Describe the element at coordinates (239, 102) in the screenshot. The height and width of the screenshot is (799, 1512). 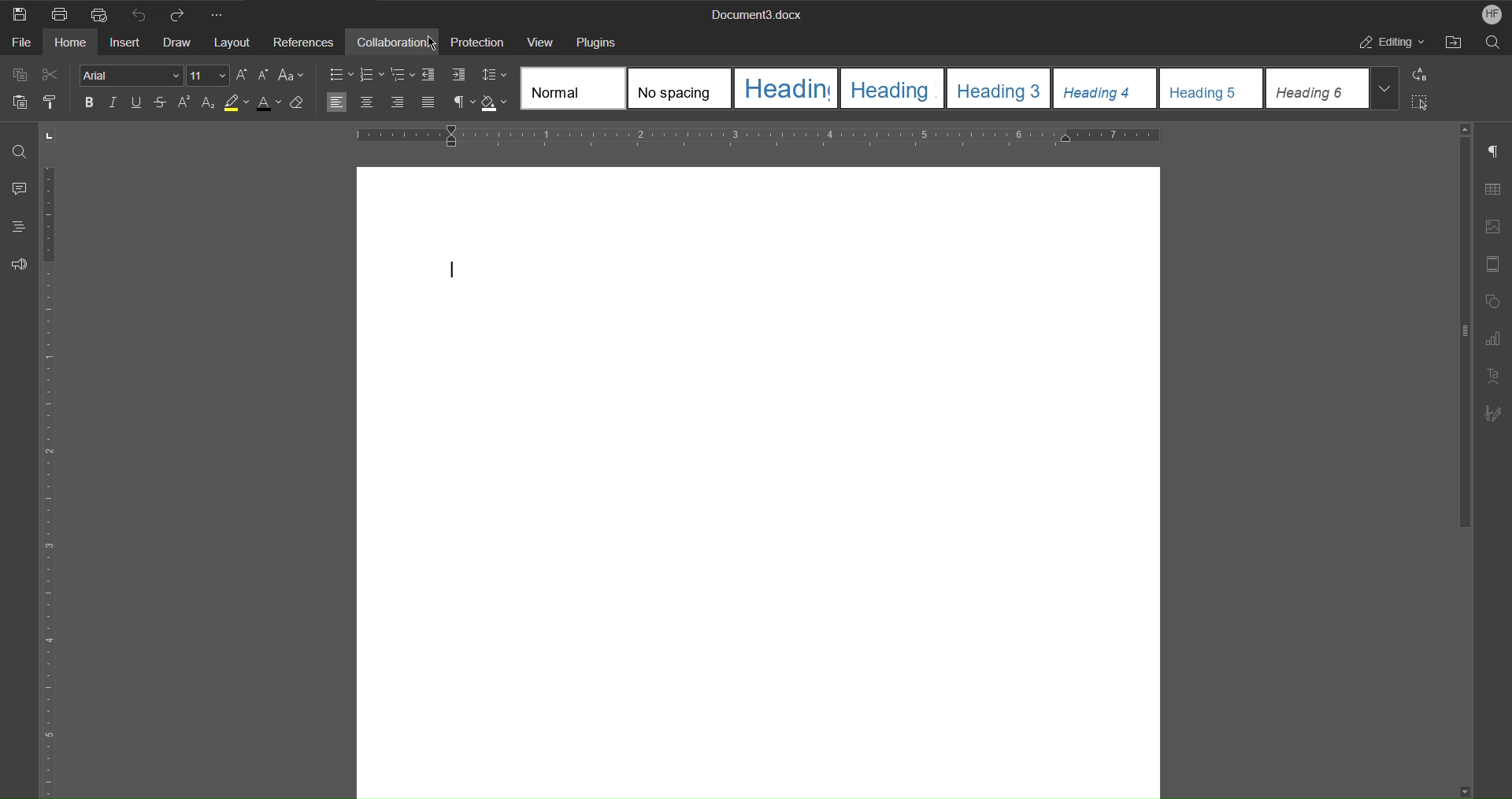
I see `Highlight` at that location.